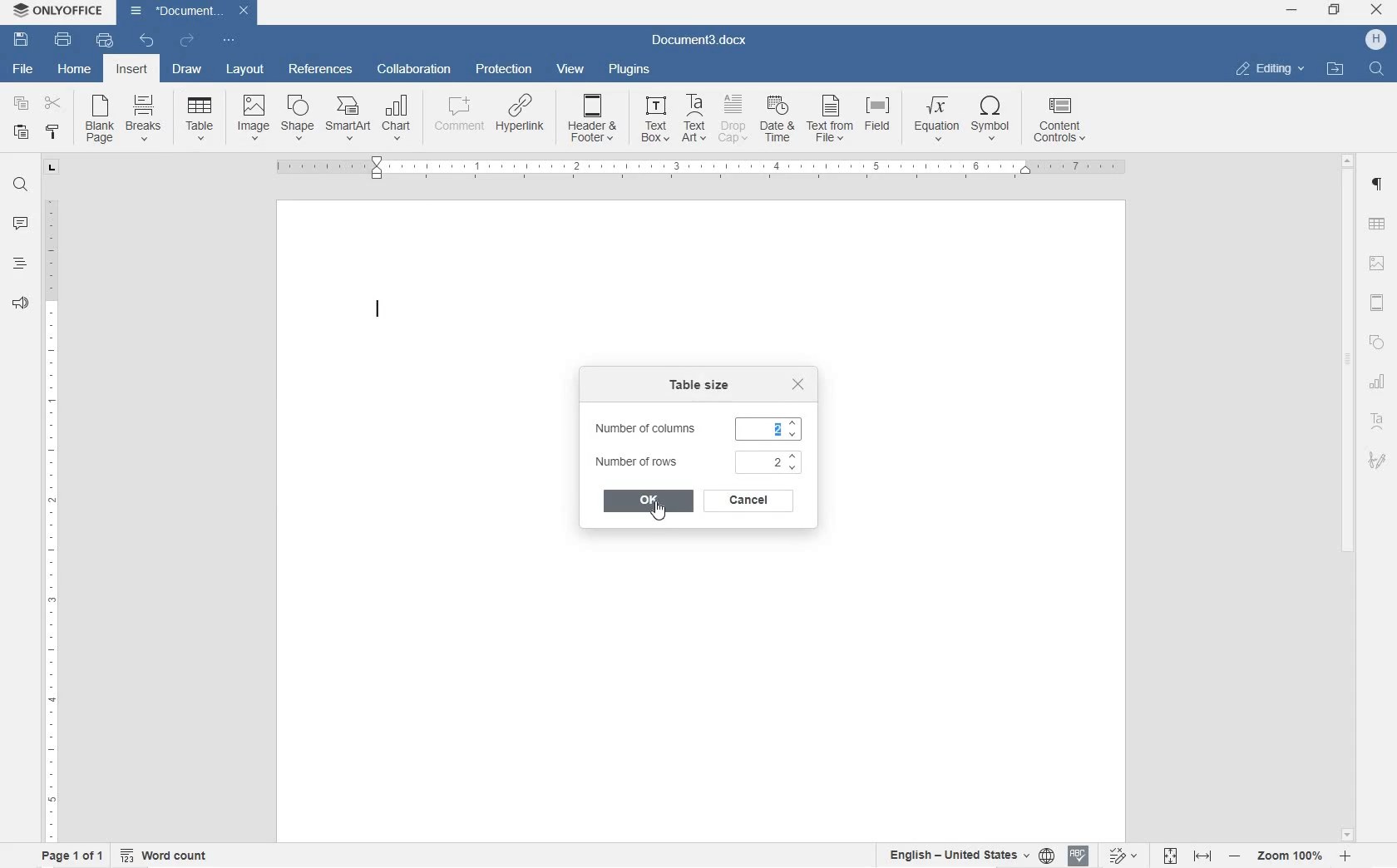 The image size is (1397, 868). Describe the element at coordinates (347, 120) in the screenshot. I see `SmartArt` at that location.